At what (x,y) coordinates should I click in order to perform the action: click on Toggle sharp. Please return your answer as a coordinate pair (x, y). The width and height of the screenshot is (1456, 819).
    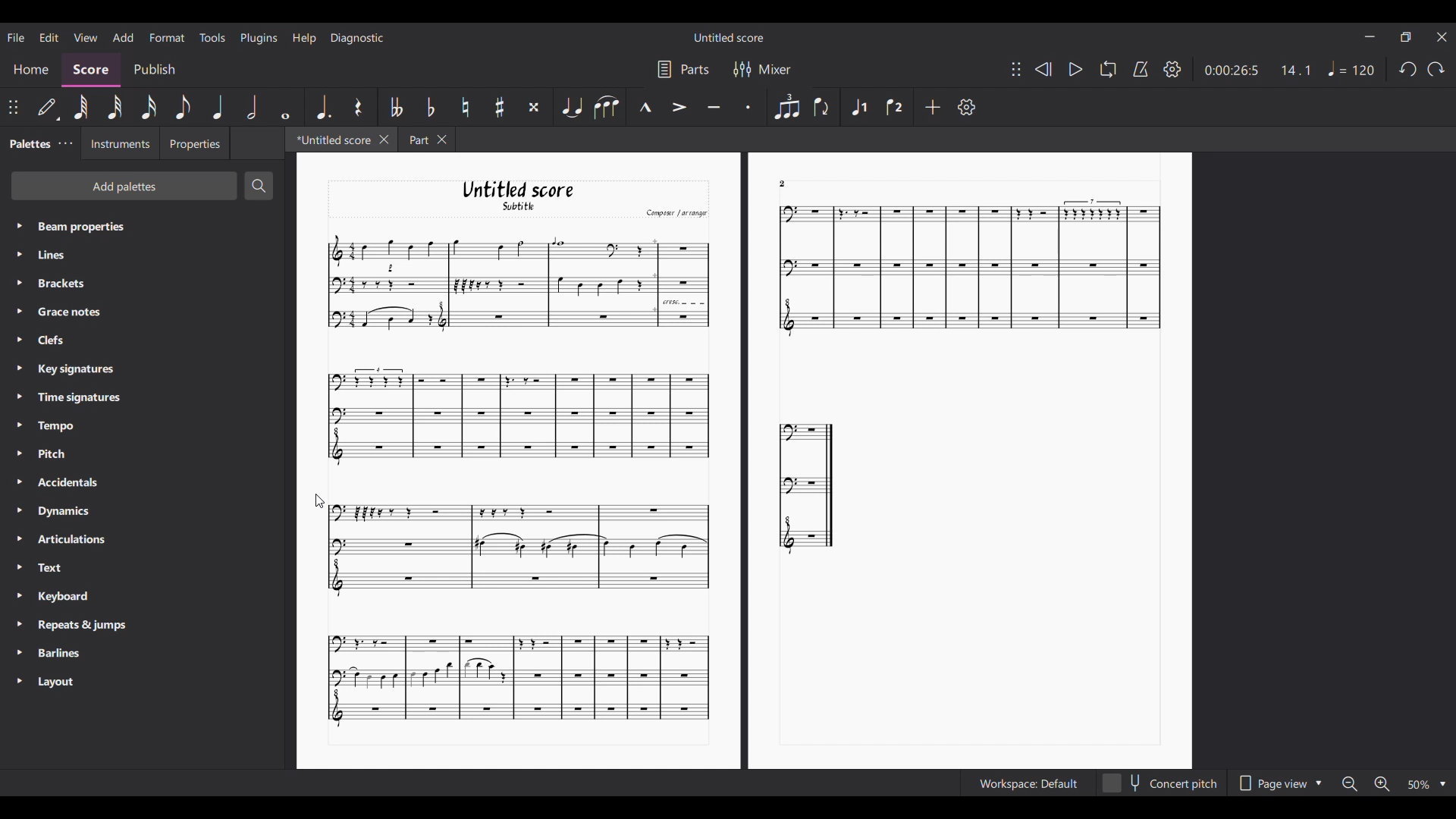
    Looking at the image, I should click on (500, 107).